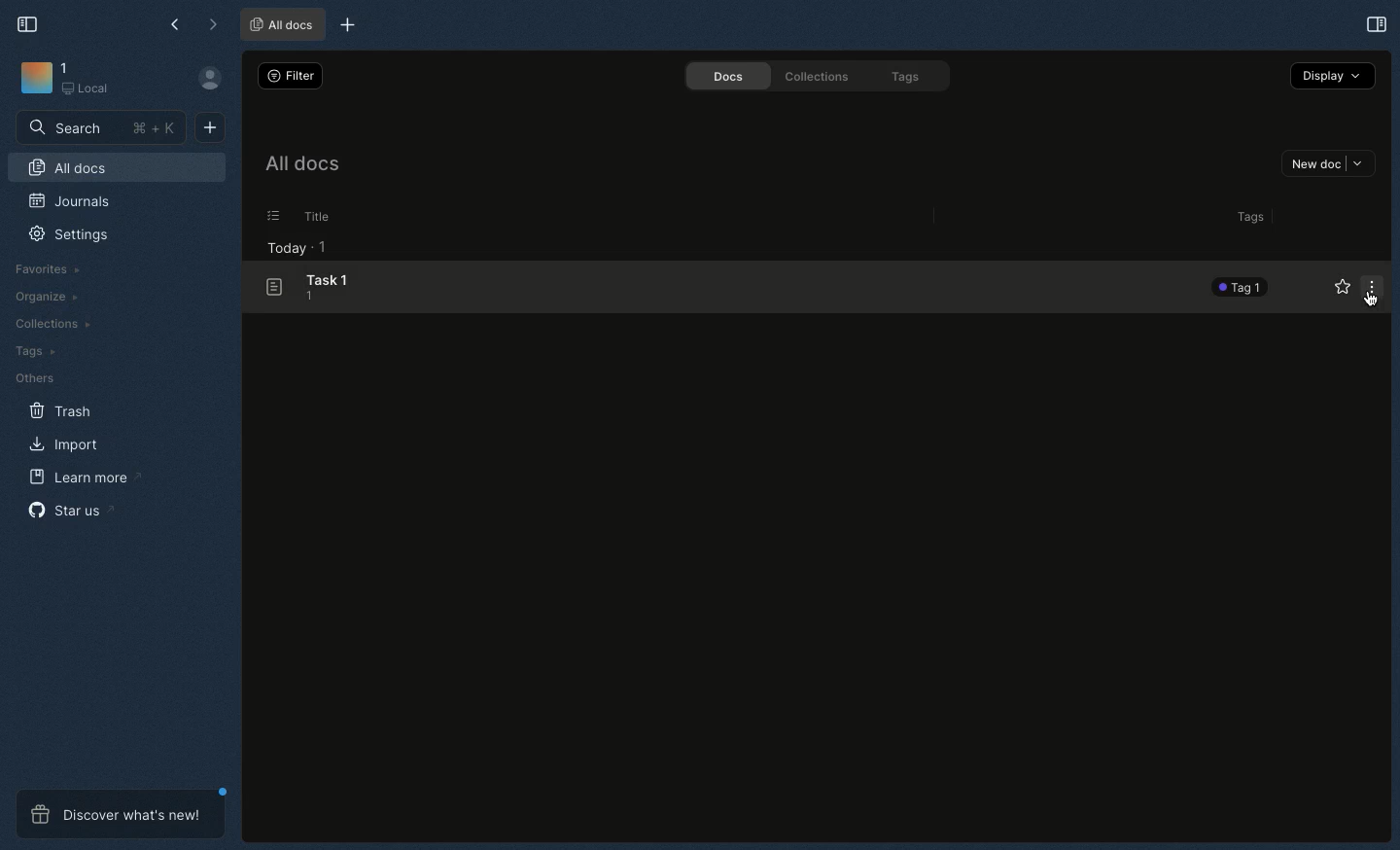 The width and height of the screenshot is (1400, 850). What do you see at coordinates (64, 511) in the screenshot?
I see `Star us` at bounding box center [64, 511].